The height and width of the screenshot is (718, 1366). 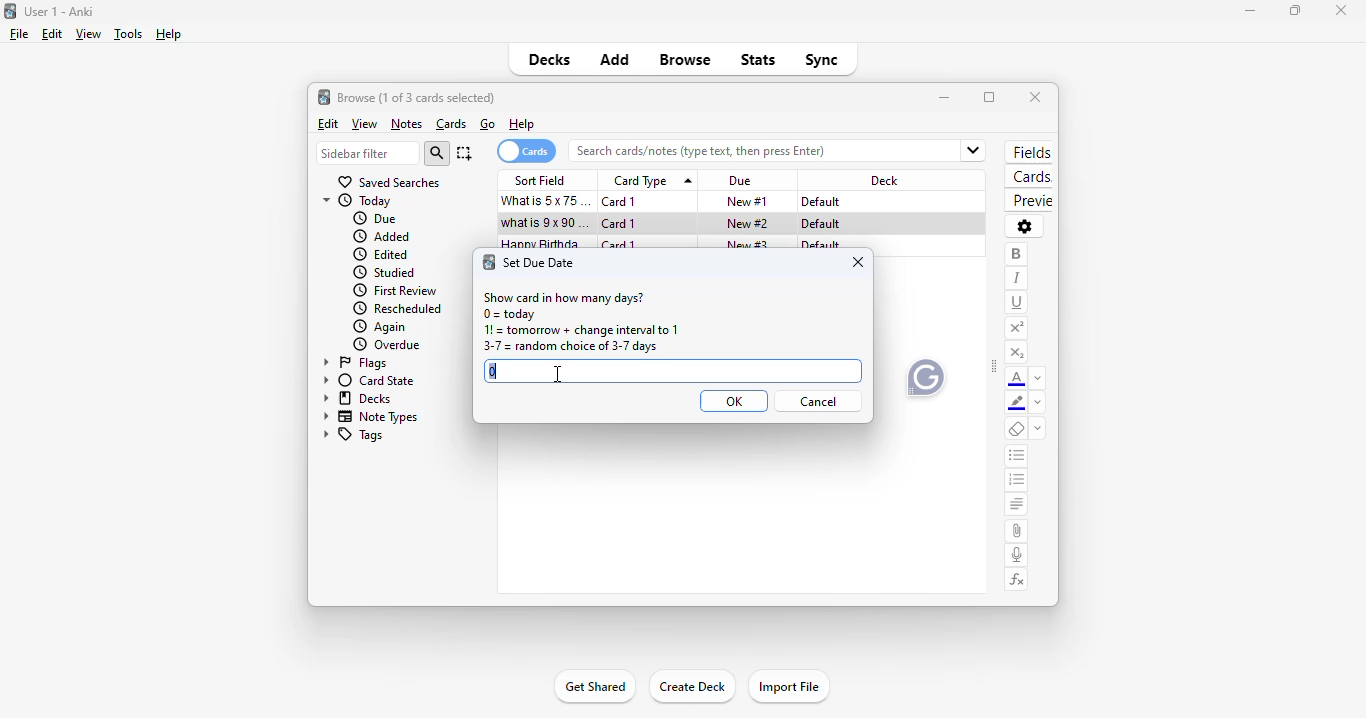 I want to click on due, so click(x=739, y=181).